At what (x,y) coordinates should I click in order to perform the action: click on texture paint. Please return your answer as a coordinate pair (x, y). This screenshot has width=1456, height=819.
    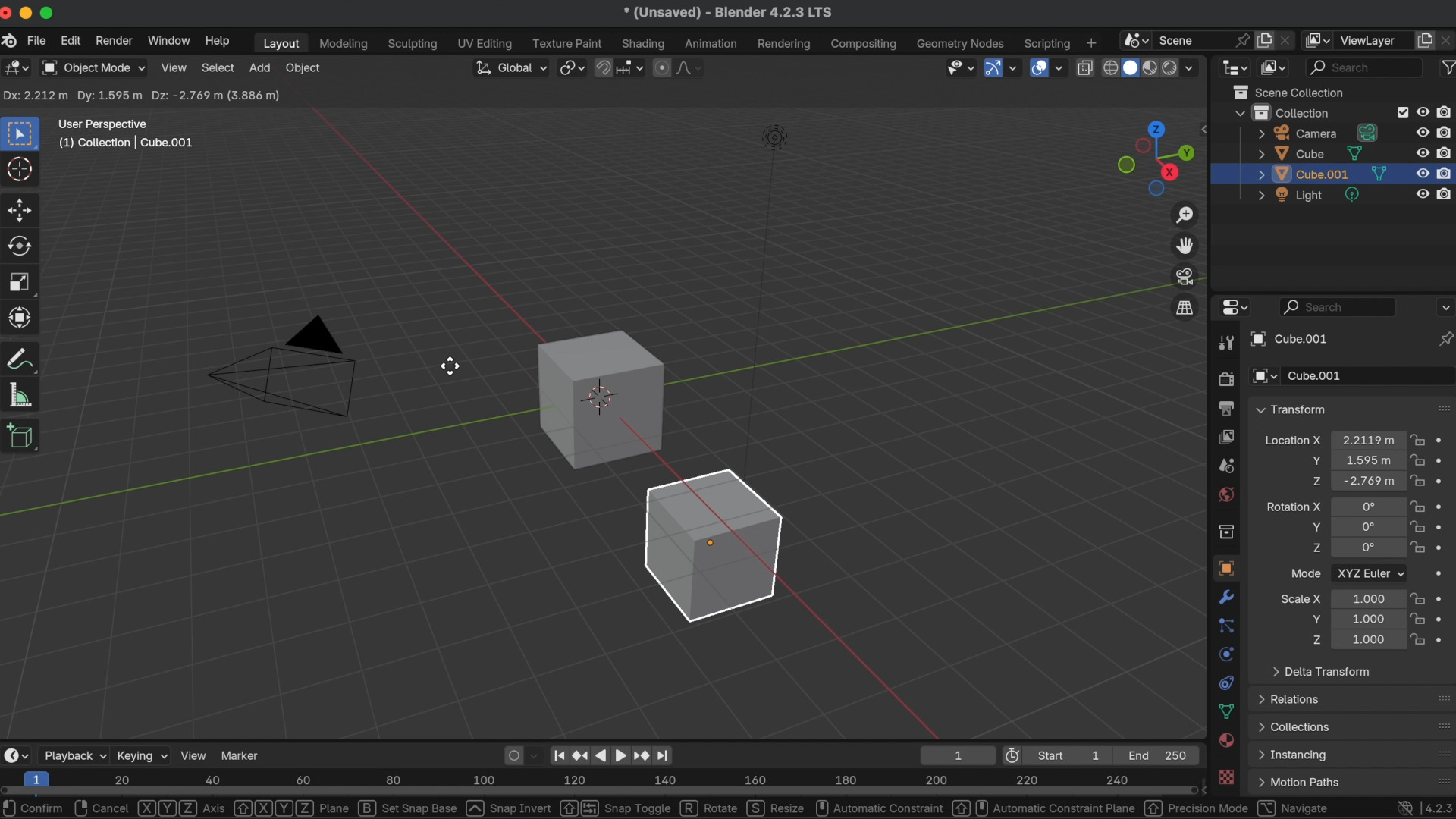
    Looking at the image, I should click on (567, 43).